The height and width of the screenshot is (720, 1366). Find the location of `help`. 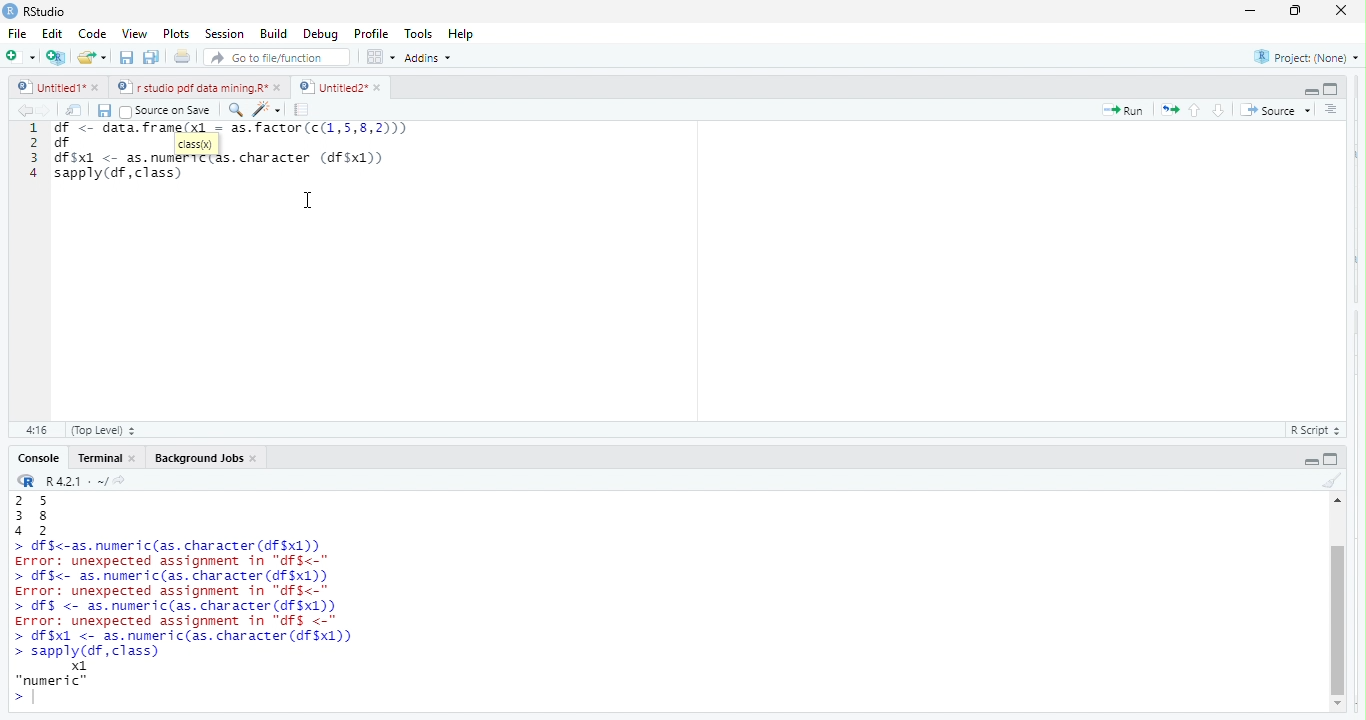

help is located at coordinates (466, 32).